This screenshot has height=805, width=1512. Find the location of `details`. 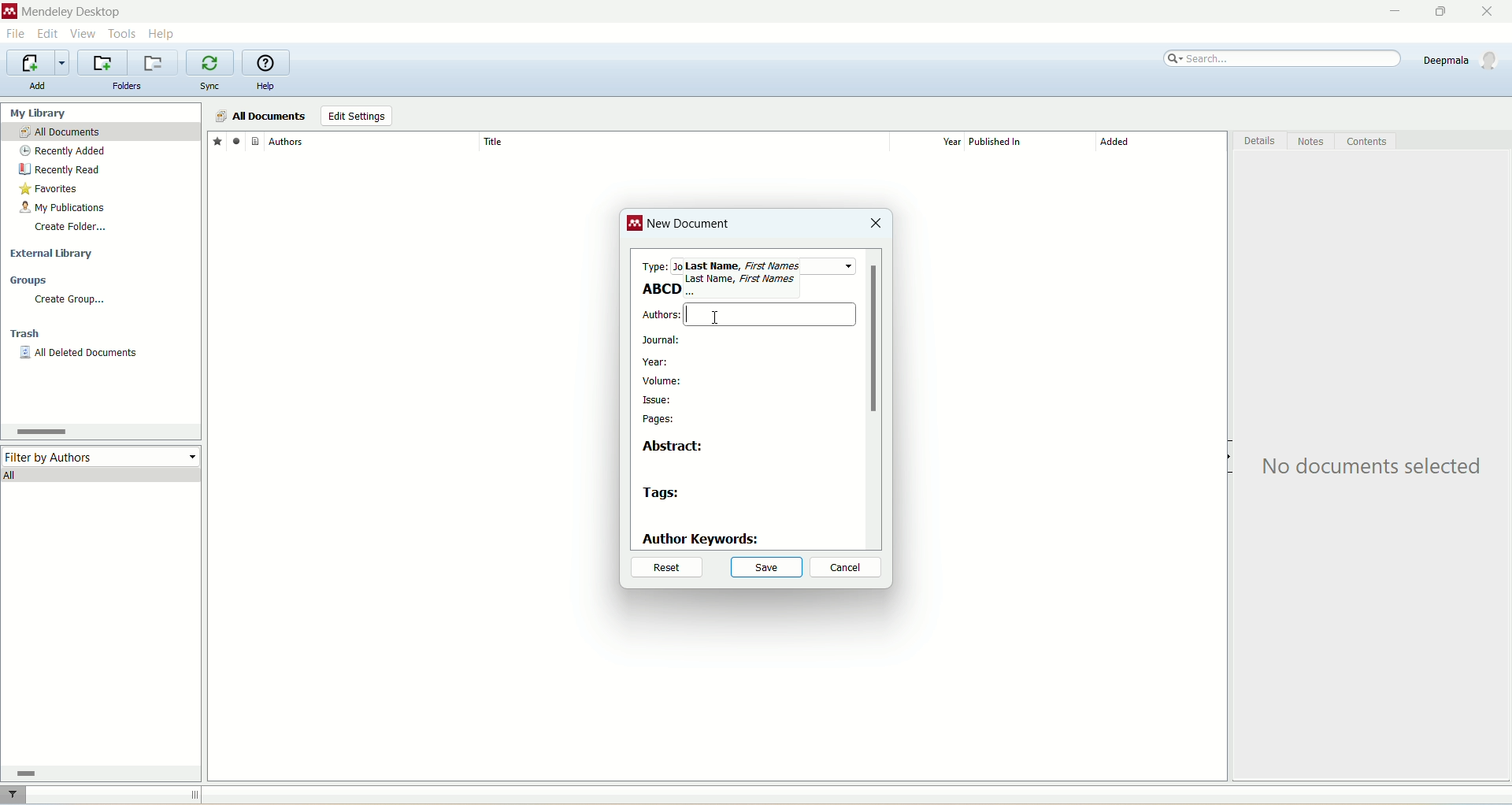

details is located at coordinates (1261, 143).